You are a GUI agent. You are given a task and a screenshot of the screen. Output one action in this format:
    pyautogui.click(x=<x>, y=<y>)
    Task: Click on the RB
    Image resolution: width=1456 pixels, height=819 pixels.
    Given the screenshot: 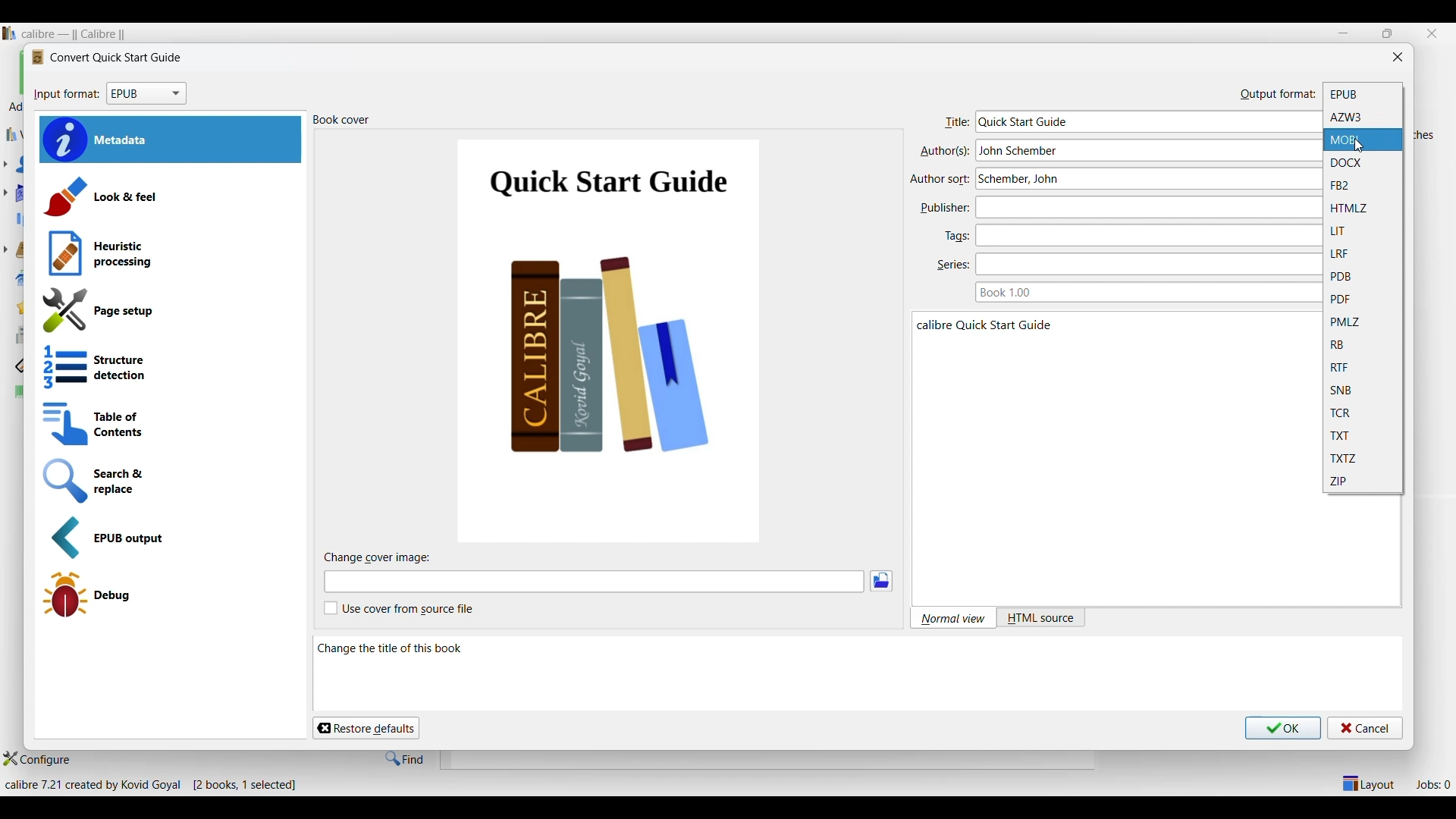 What is the action you would take?
    pyautogui.click(x=1363, y=344)
    